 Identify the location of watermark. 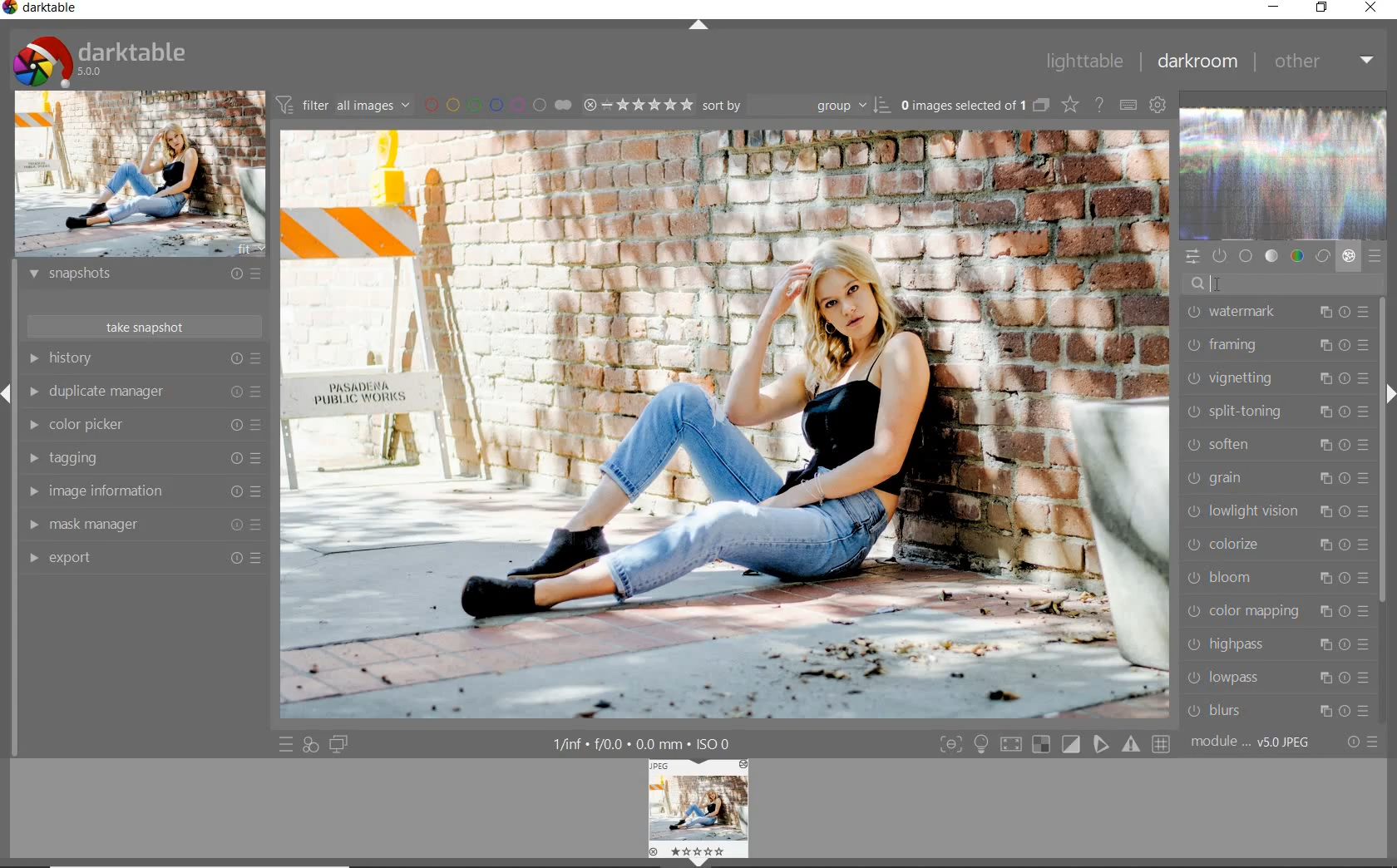
(1278, 314).